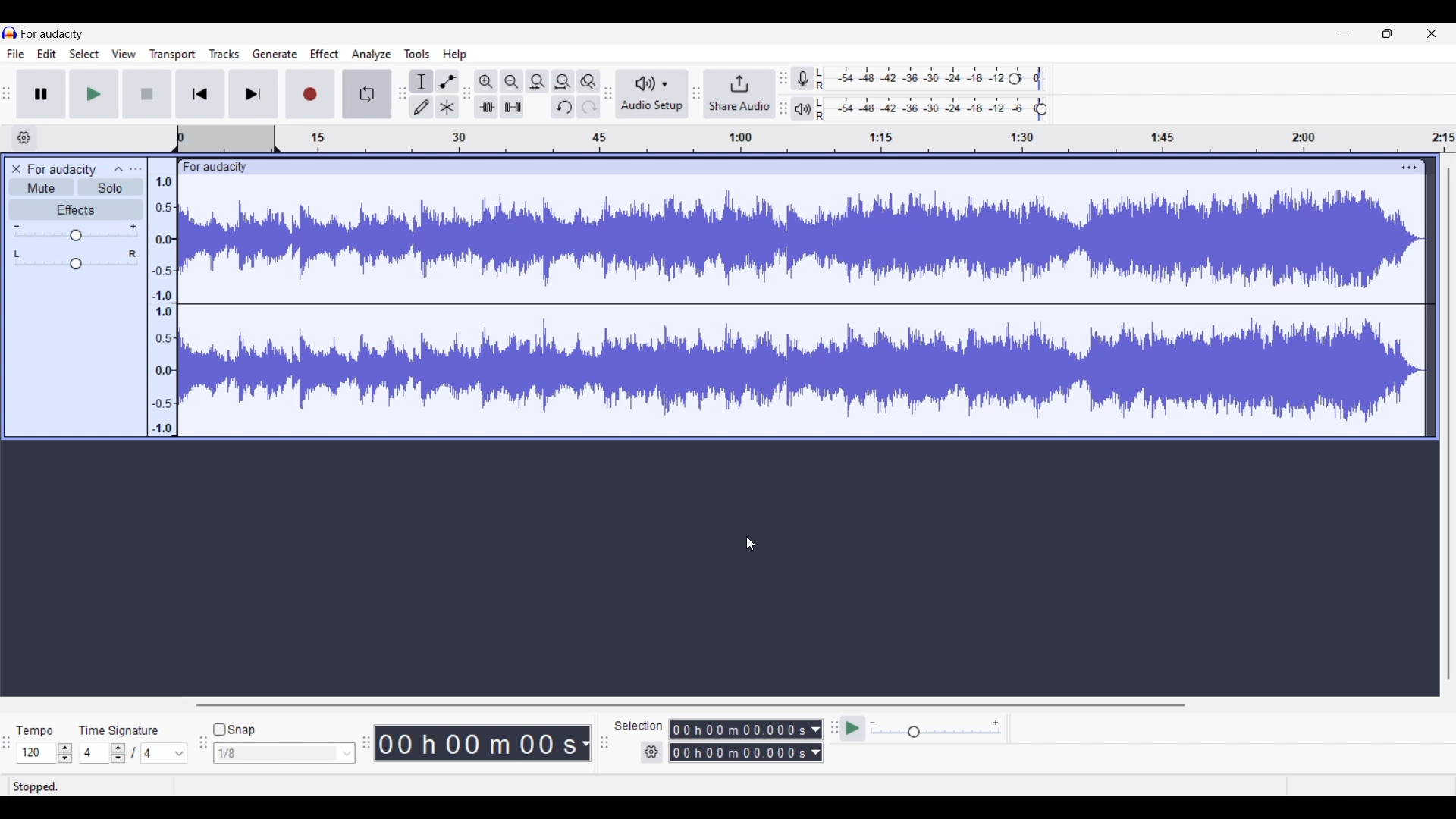 The image size is (1456, 819). What do you see at coordinates (805, 307) in the screenshot?
I see `Imported track` at bounding box center [805, 307].